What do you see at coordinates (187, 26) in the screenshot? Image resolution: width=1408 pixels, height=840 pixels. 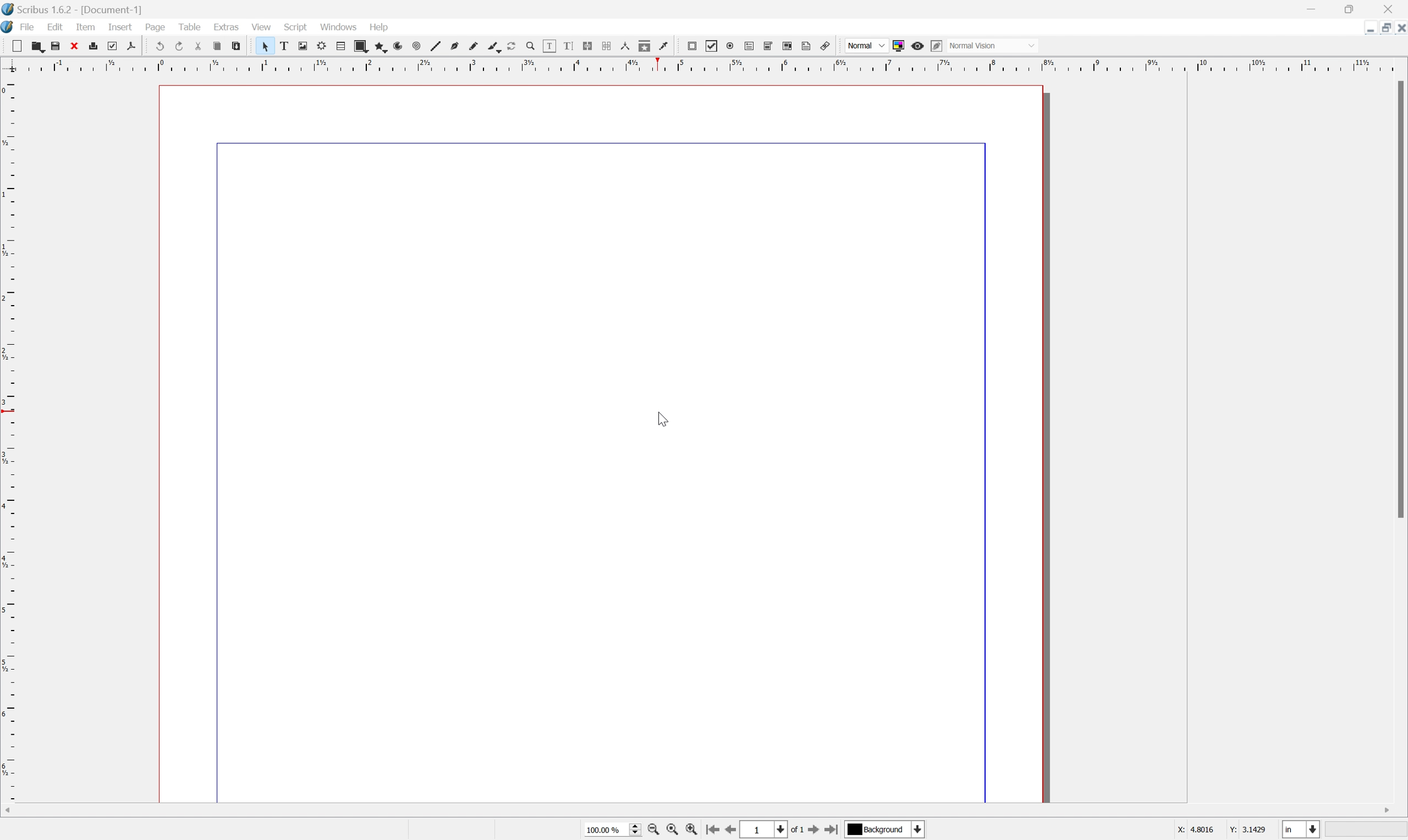 I see `table` at bounding box center [187, 26].